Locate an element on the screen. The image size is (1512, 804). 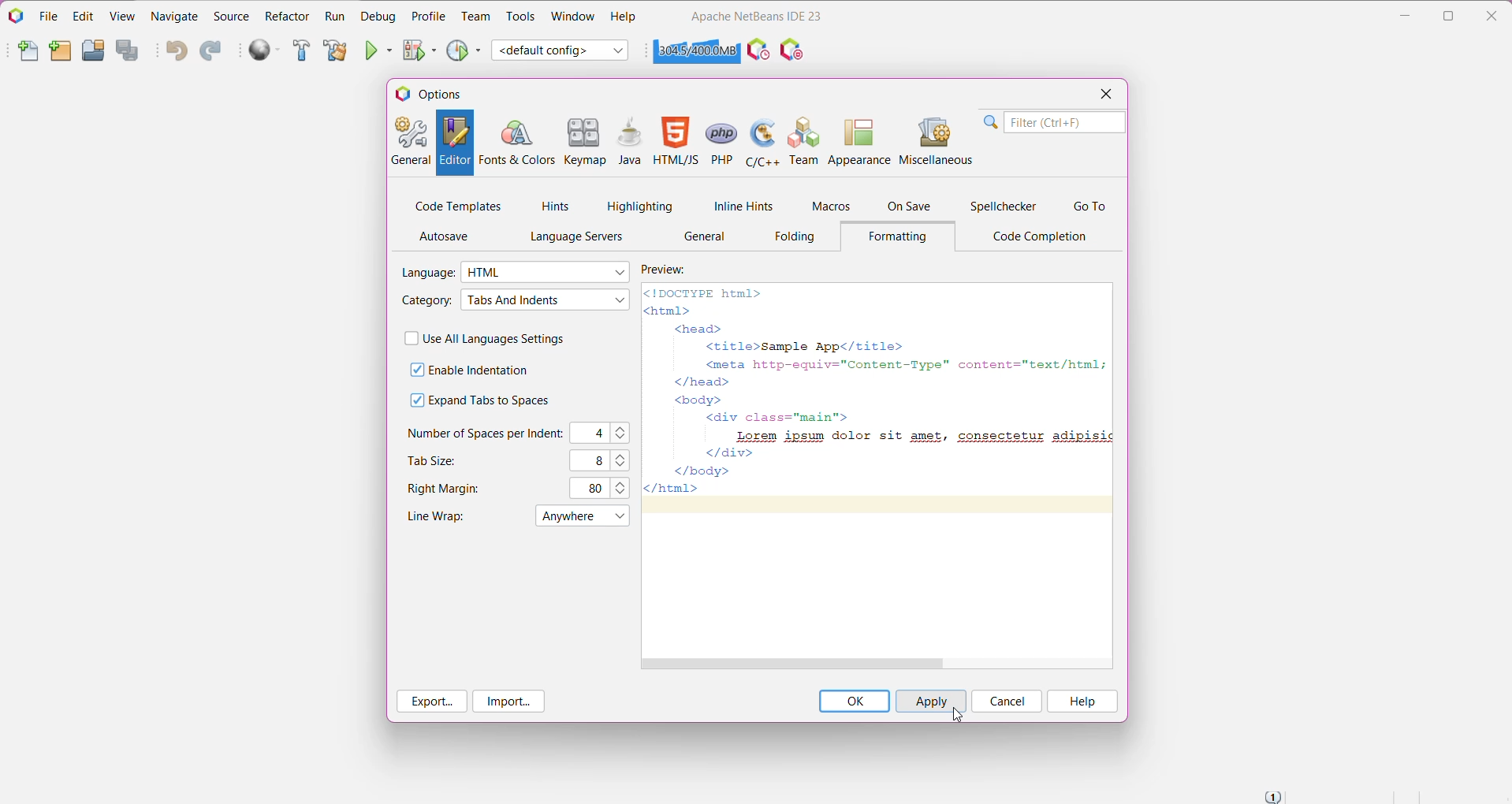
Code Templates is located at coordinates (458, 205).